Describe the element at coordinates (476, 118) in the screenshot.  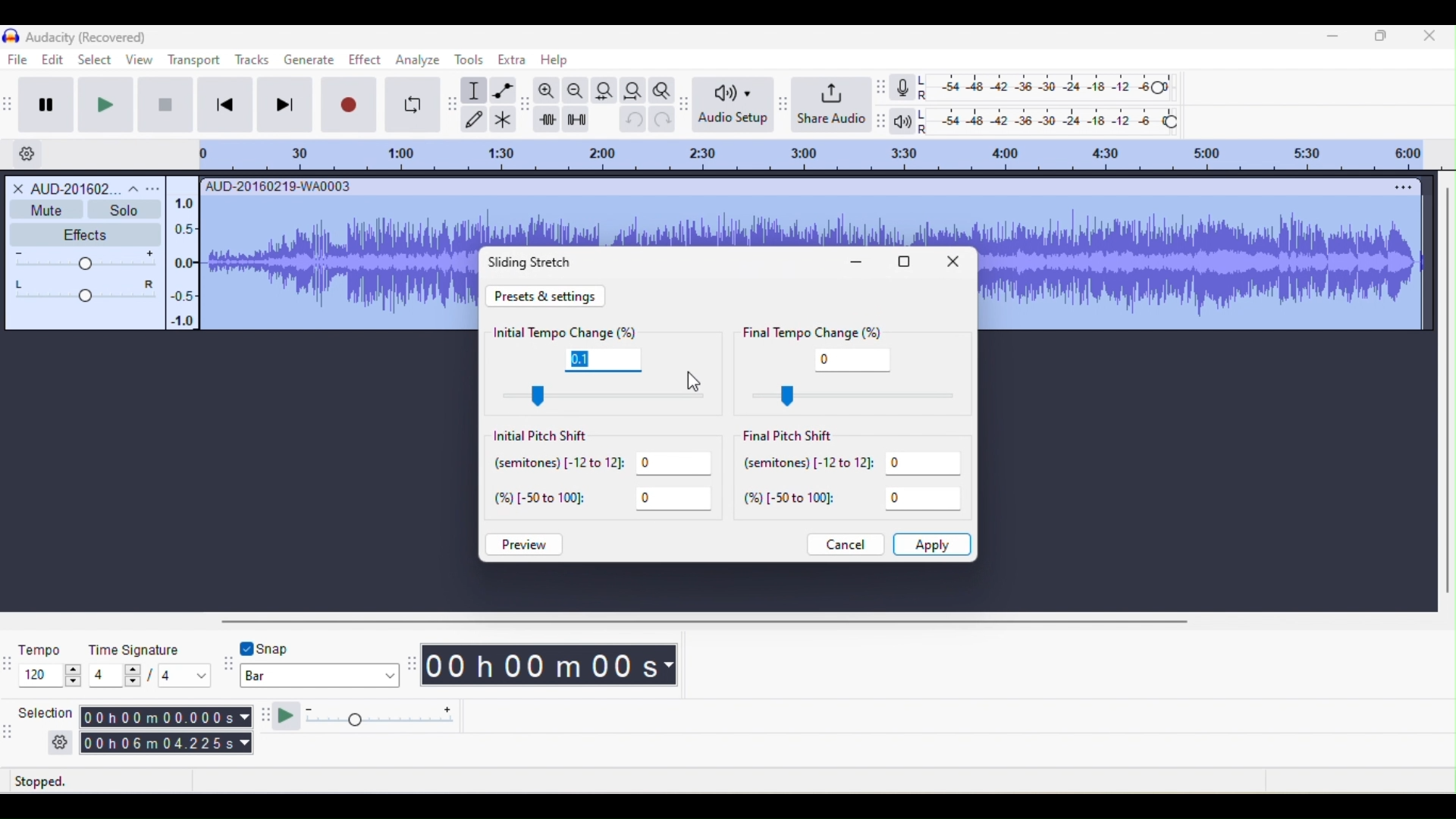
I see `draw tool` at that location.